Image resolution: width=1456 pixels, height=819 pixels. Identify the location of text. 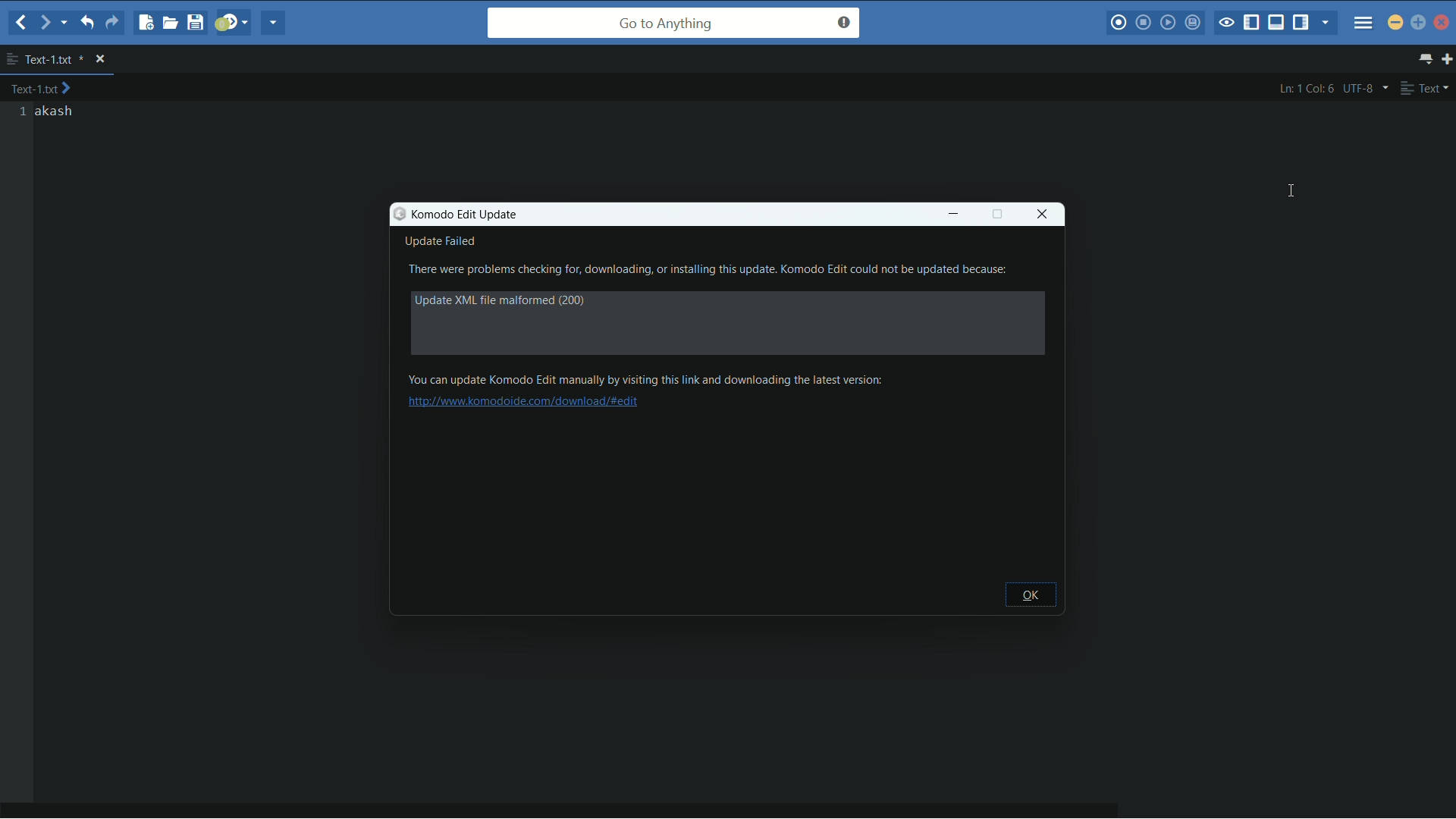
(501, 301).